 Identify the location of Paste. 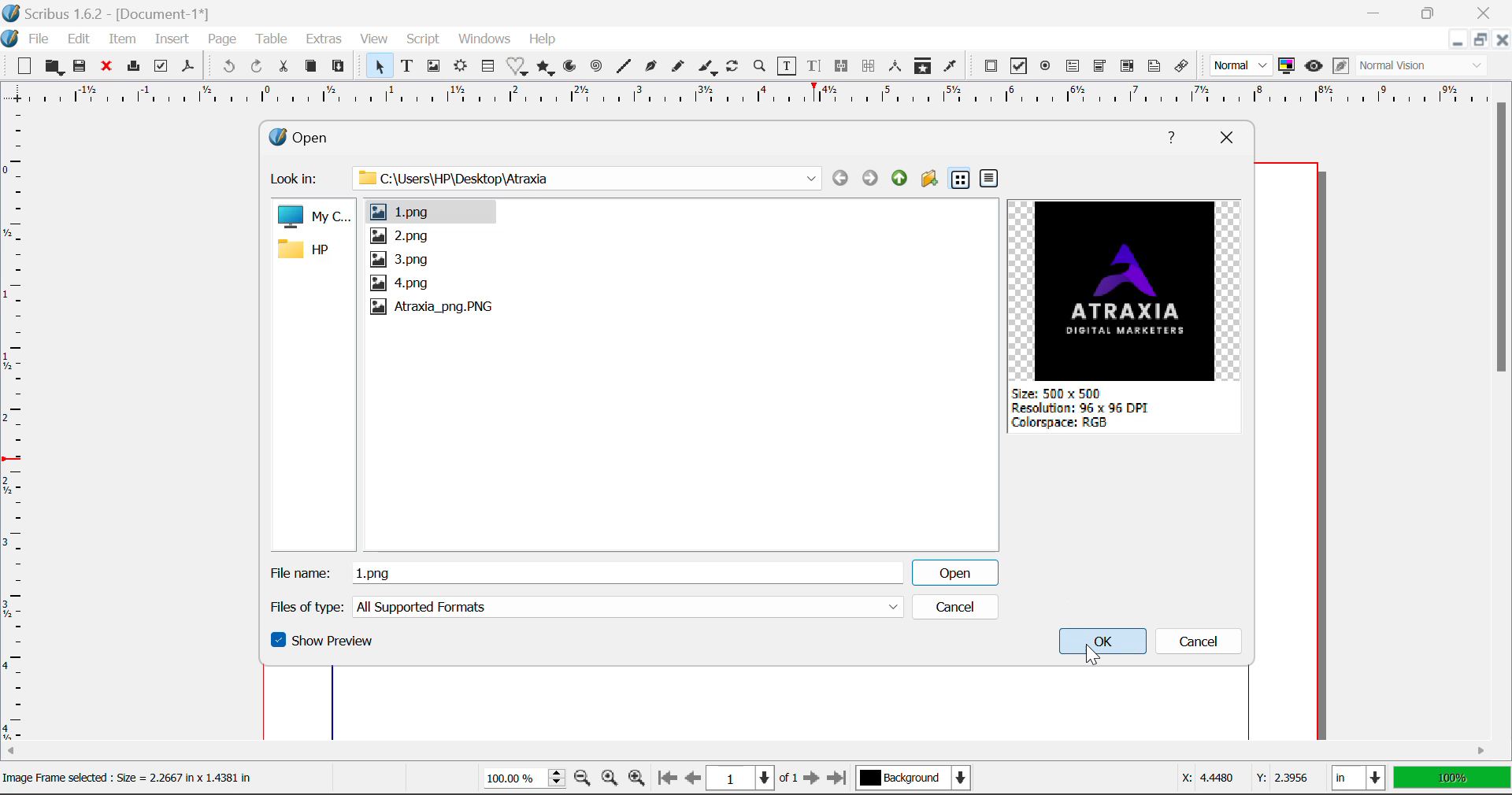
(342, 65).